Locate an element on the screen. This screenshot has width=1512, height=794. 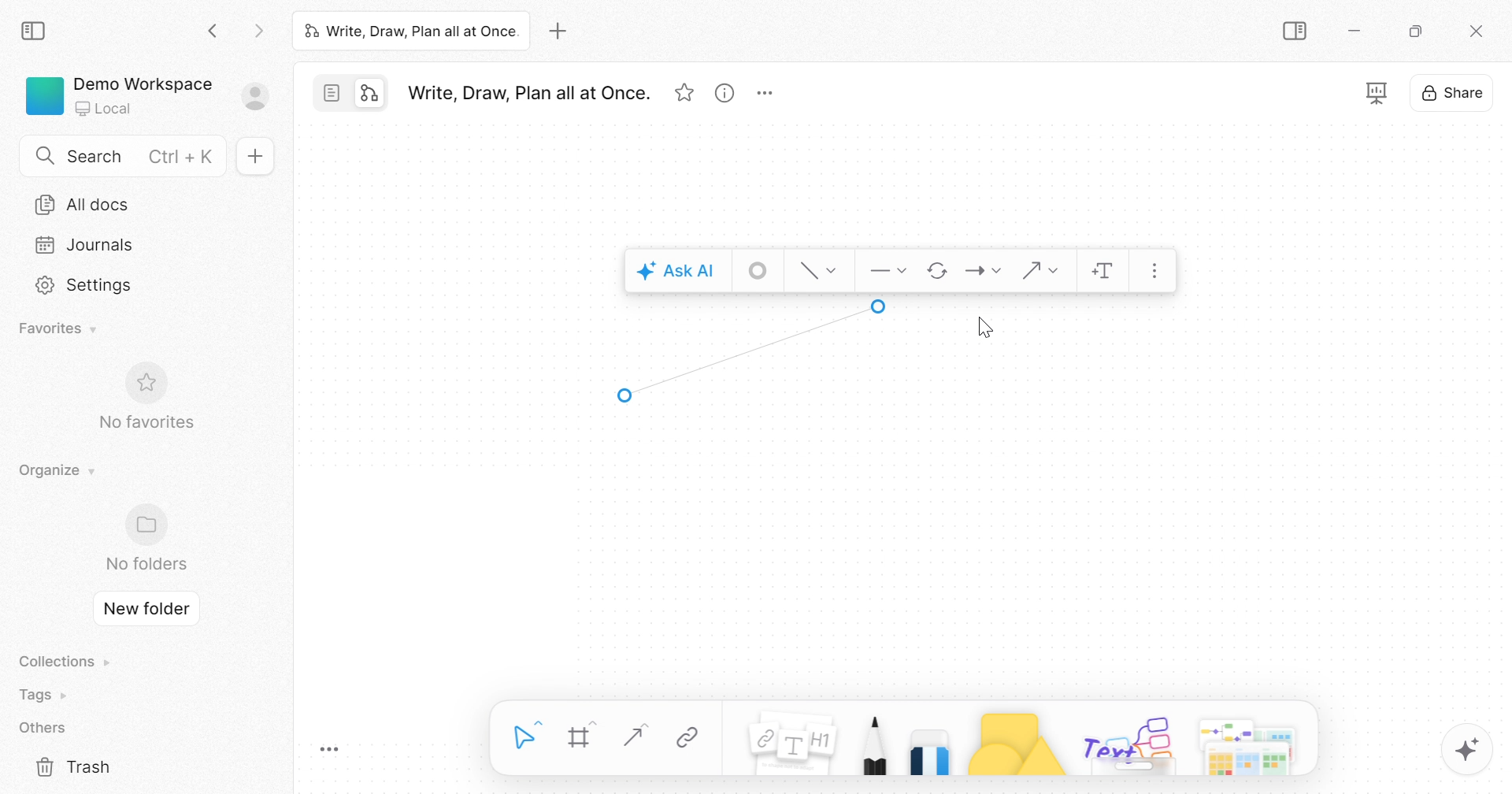
Settings is located at coordinates (85, 285).